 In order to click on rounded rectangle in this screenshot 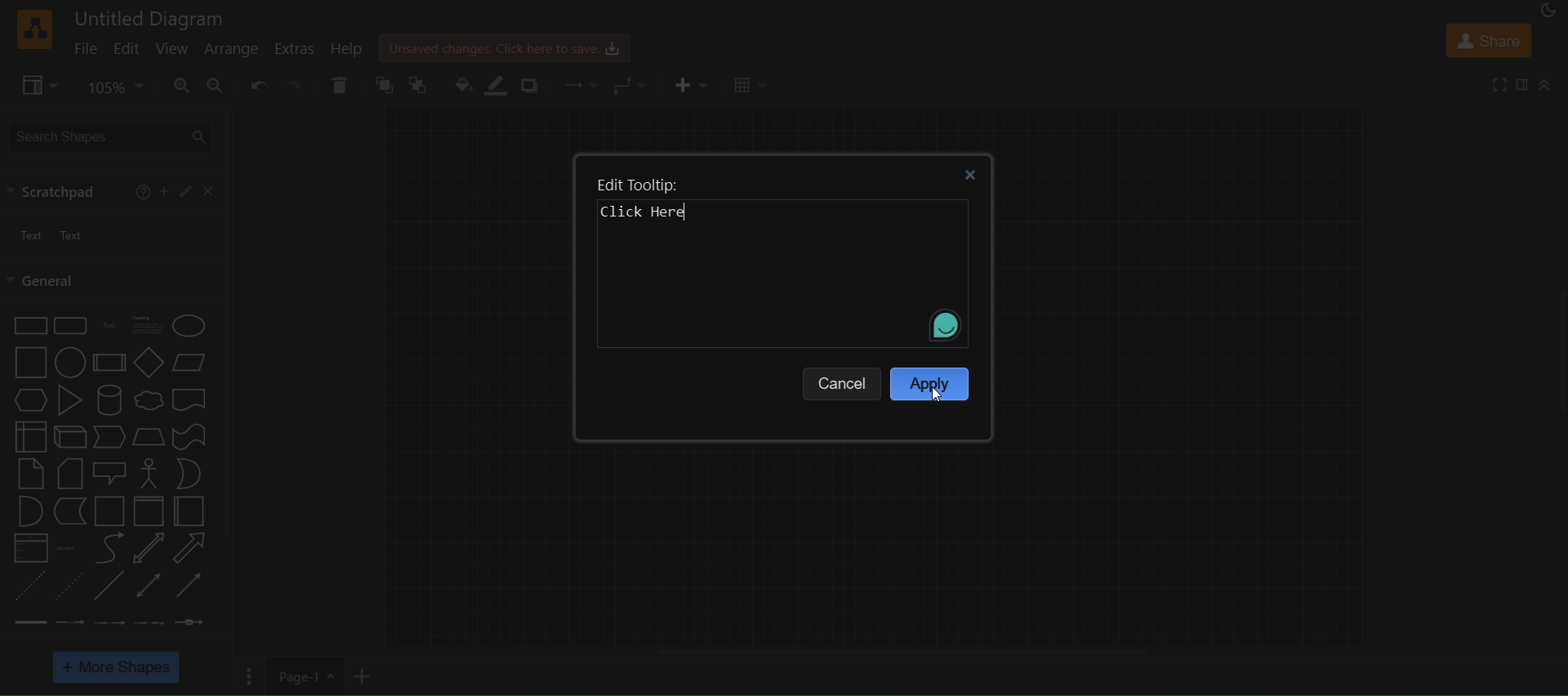, I will do `click(69, 324)`.